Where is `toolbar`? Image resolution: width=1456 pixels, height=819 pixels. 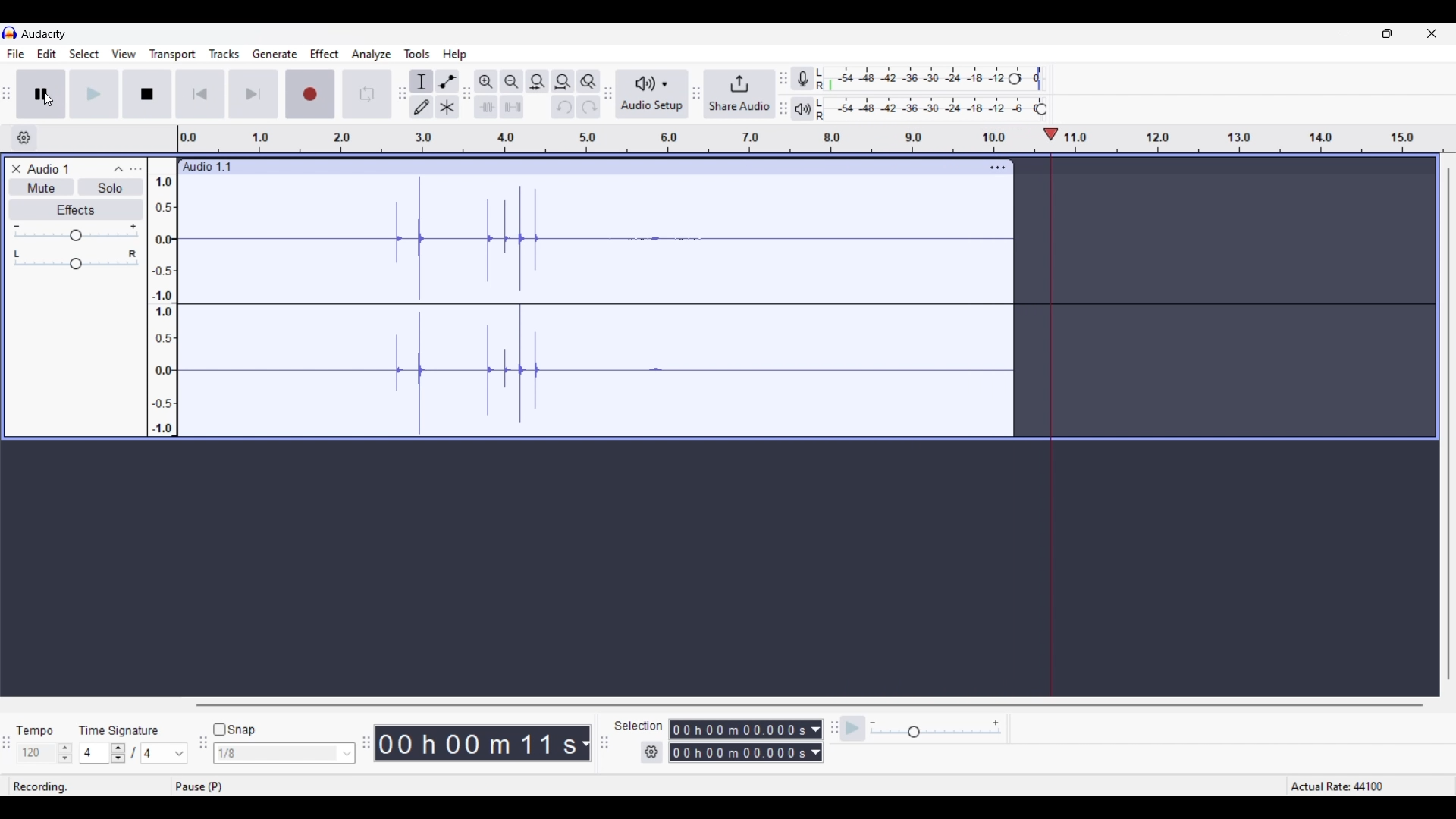 toolbar is located at coordinates (202, 747).